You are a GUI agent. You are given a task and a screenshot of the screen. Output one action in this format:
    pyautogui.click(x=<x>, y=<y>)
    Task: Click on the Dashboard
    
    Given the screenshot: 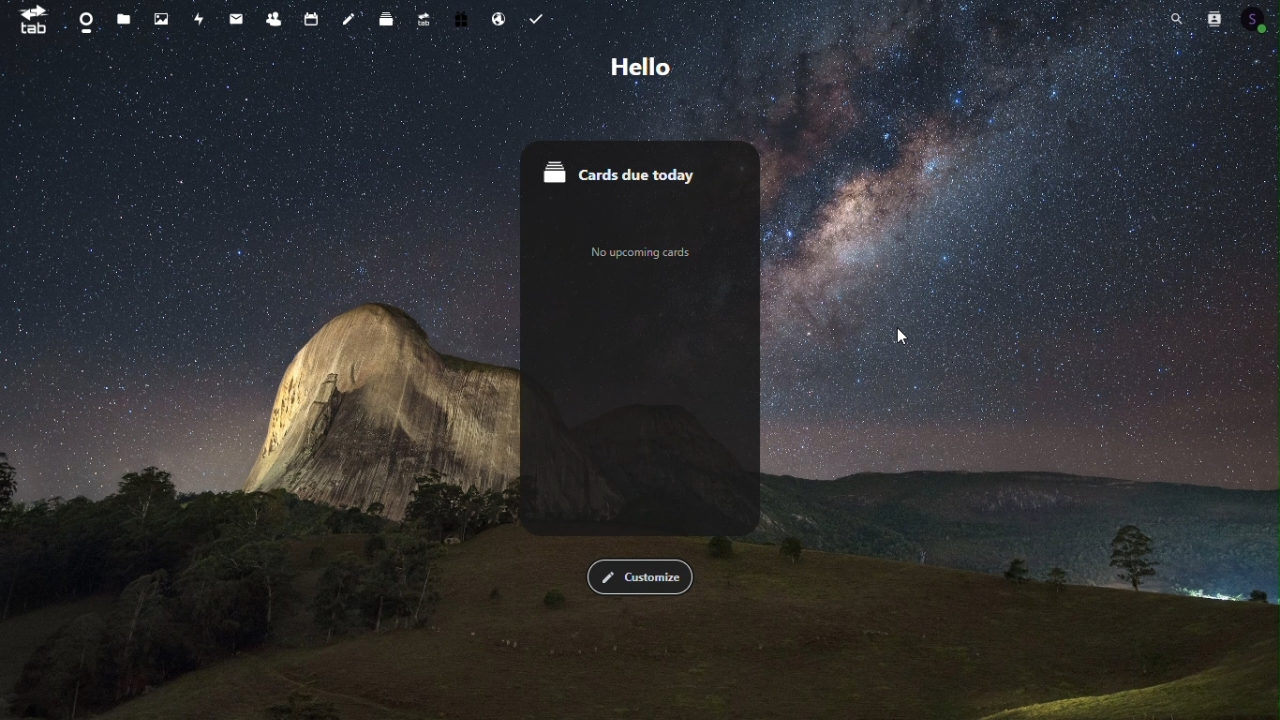 What is the action you would take?
    pyautogui.click(x=86, y=19)
    